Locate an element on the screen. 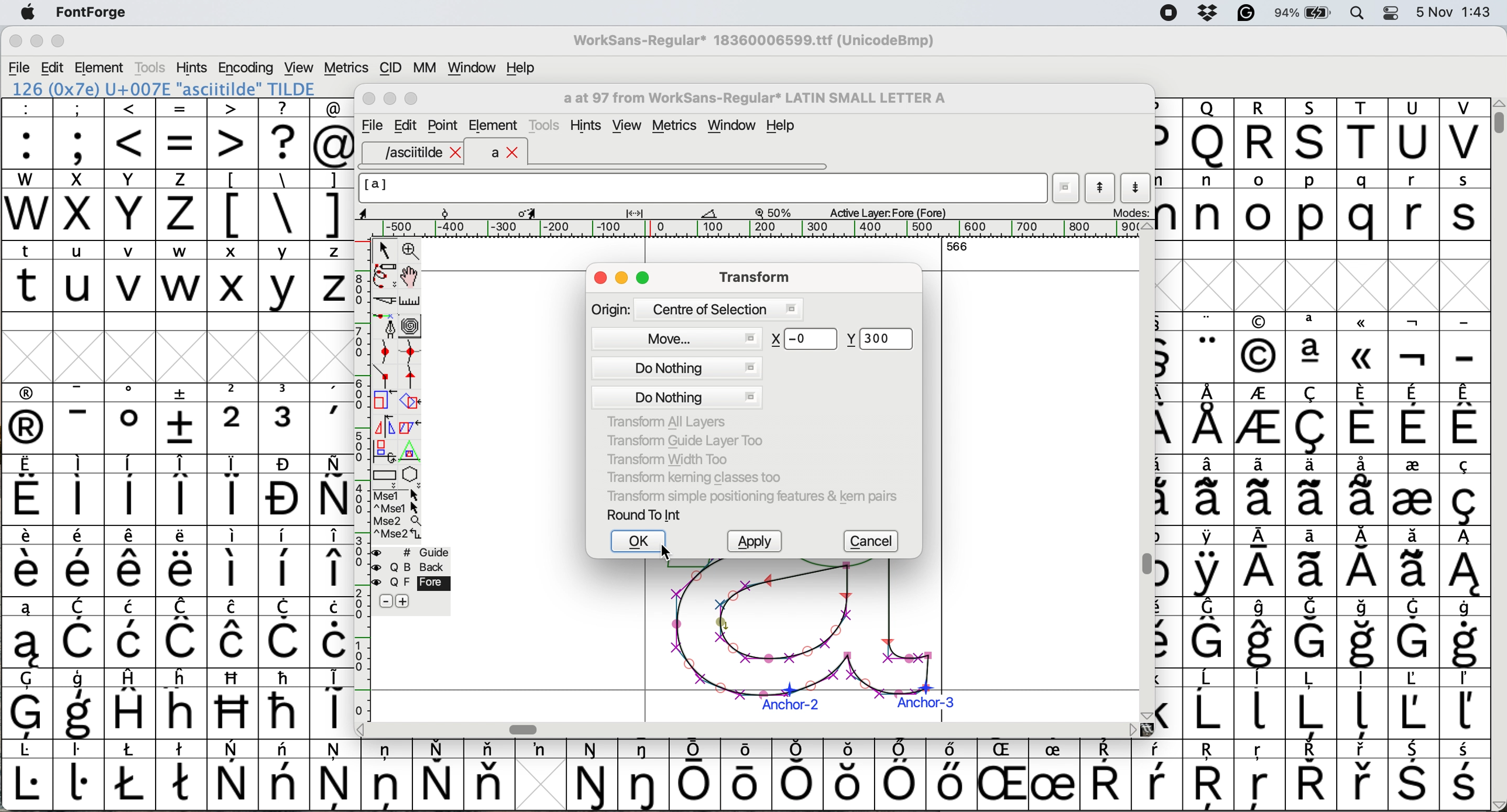 The height and width of the screenshot is (812, 1507). symbol is located at coordinates (387, 773).